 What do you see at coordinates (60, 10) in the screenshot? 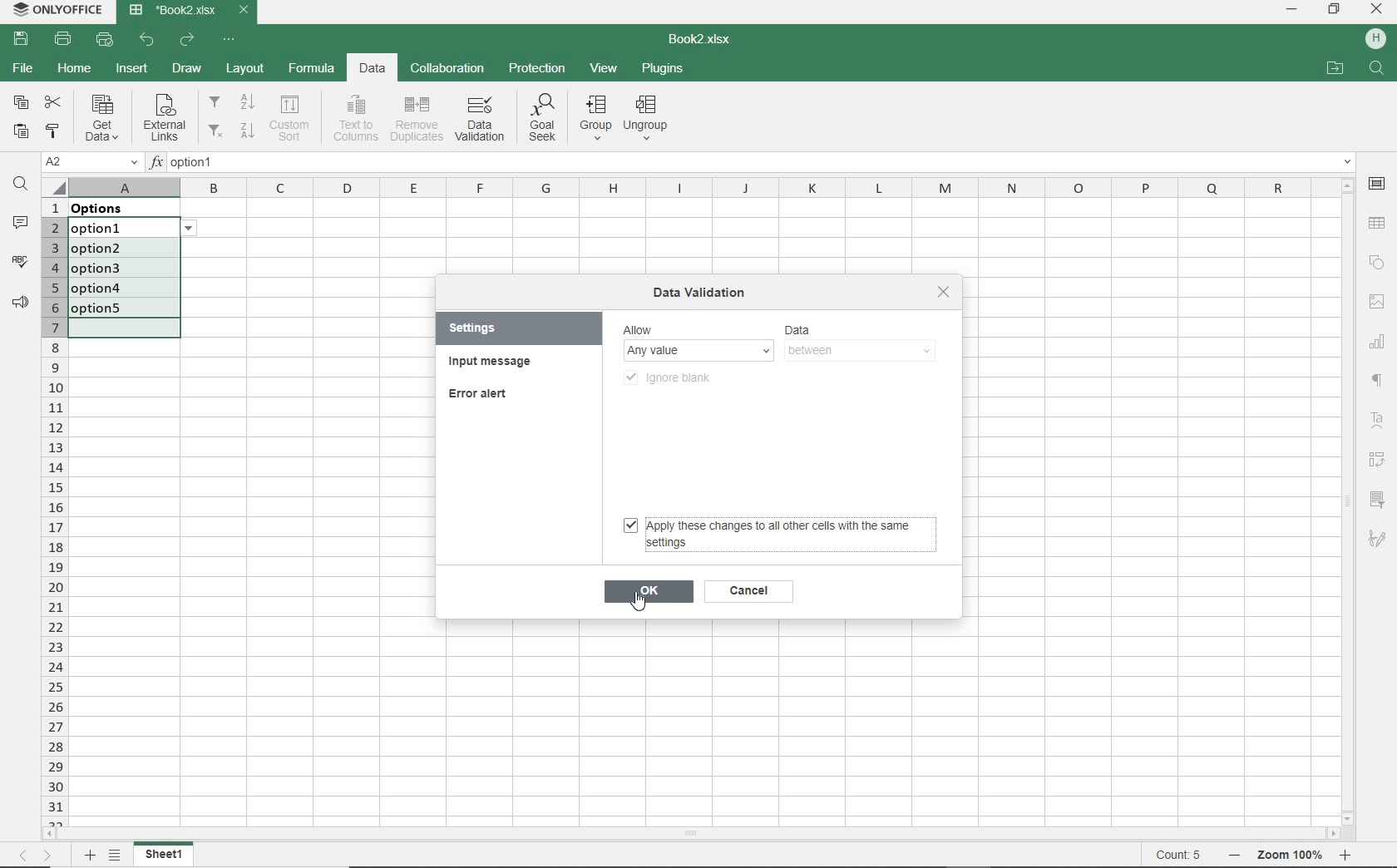
I see `SYSTEM NAME` at bounding box center [60, 10].